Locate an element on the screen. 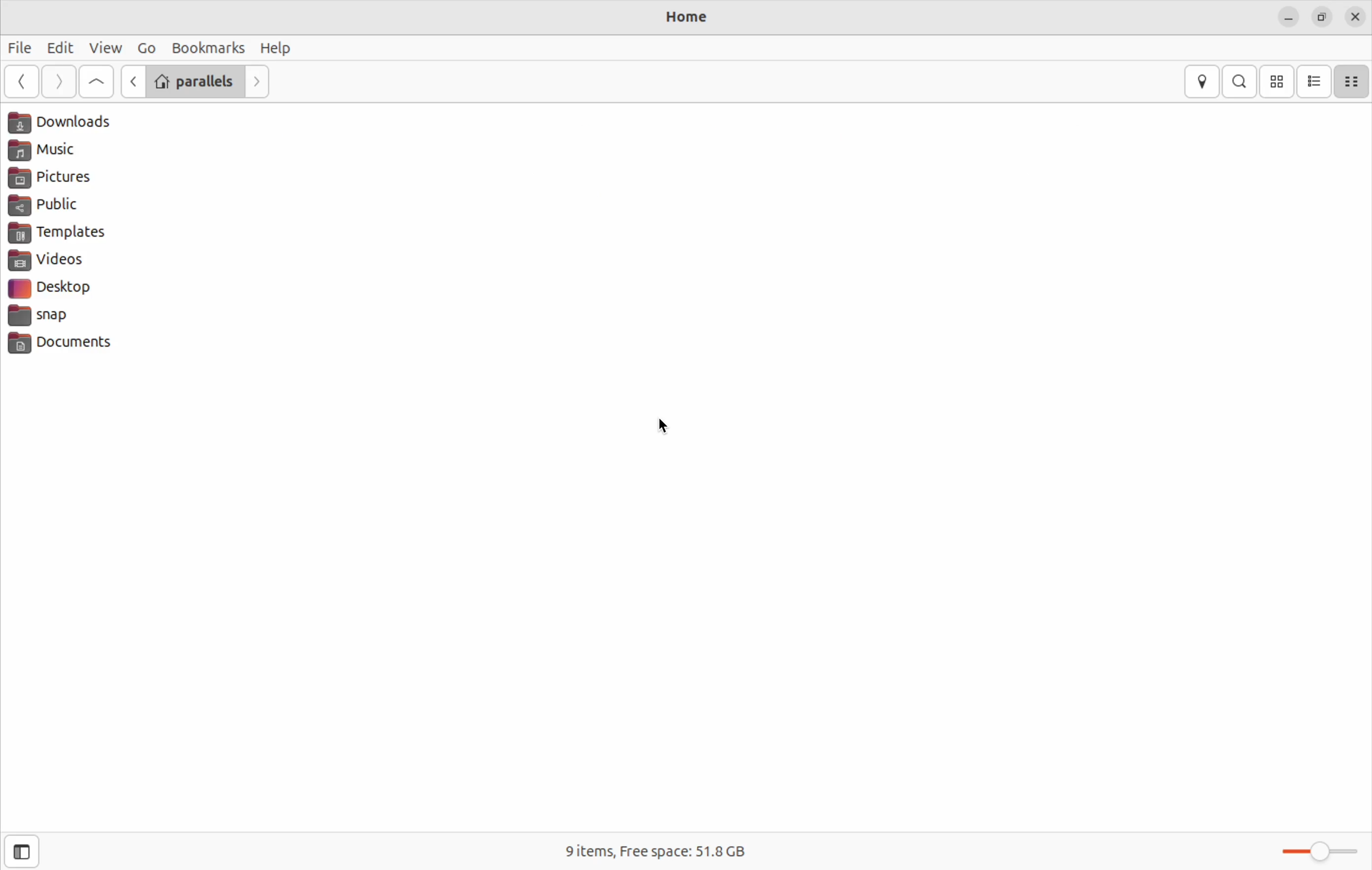  Go next is located at coordinates (259, 83).